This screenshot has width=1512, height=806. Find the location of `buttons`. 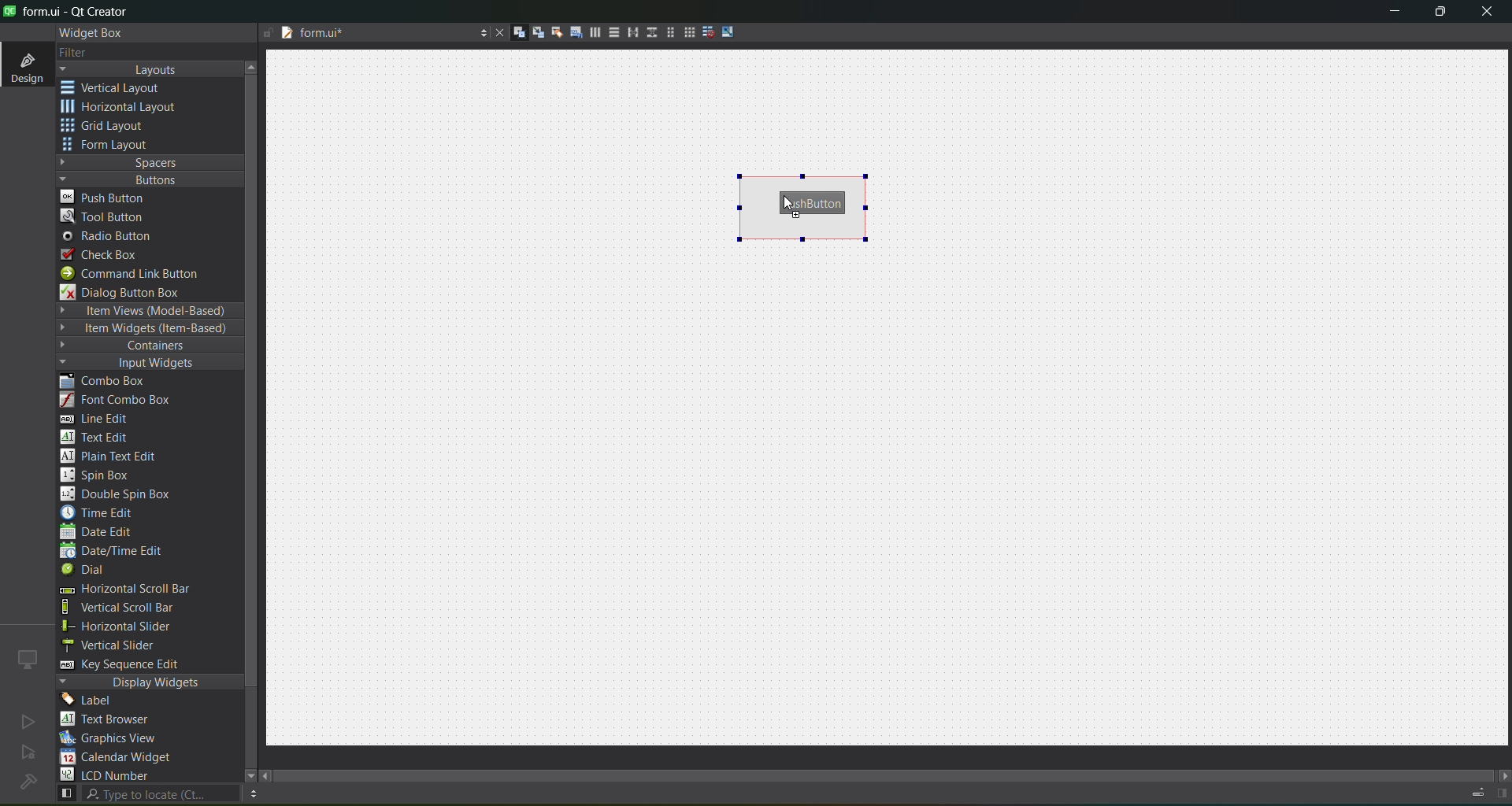

buttons is located at coordinates (146, 179).